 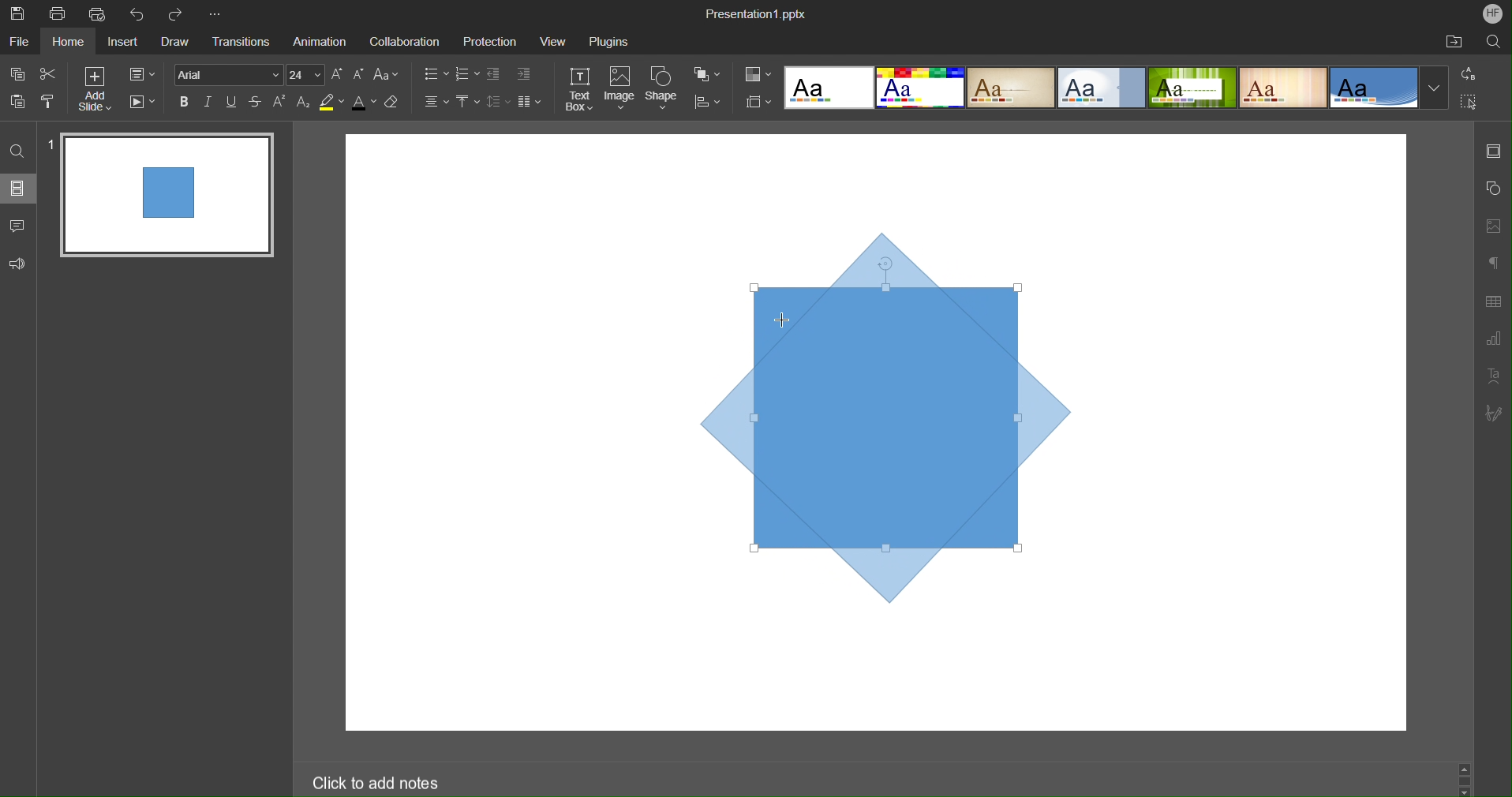 I want to click on Font Size, so click(x=305, y=76).